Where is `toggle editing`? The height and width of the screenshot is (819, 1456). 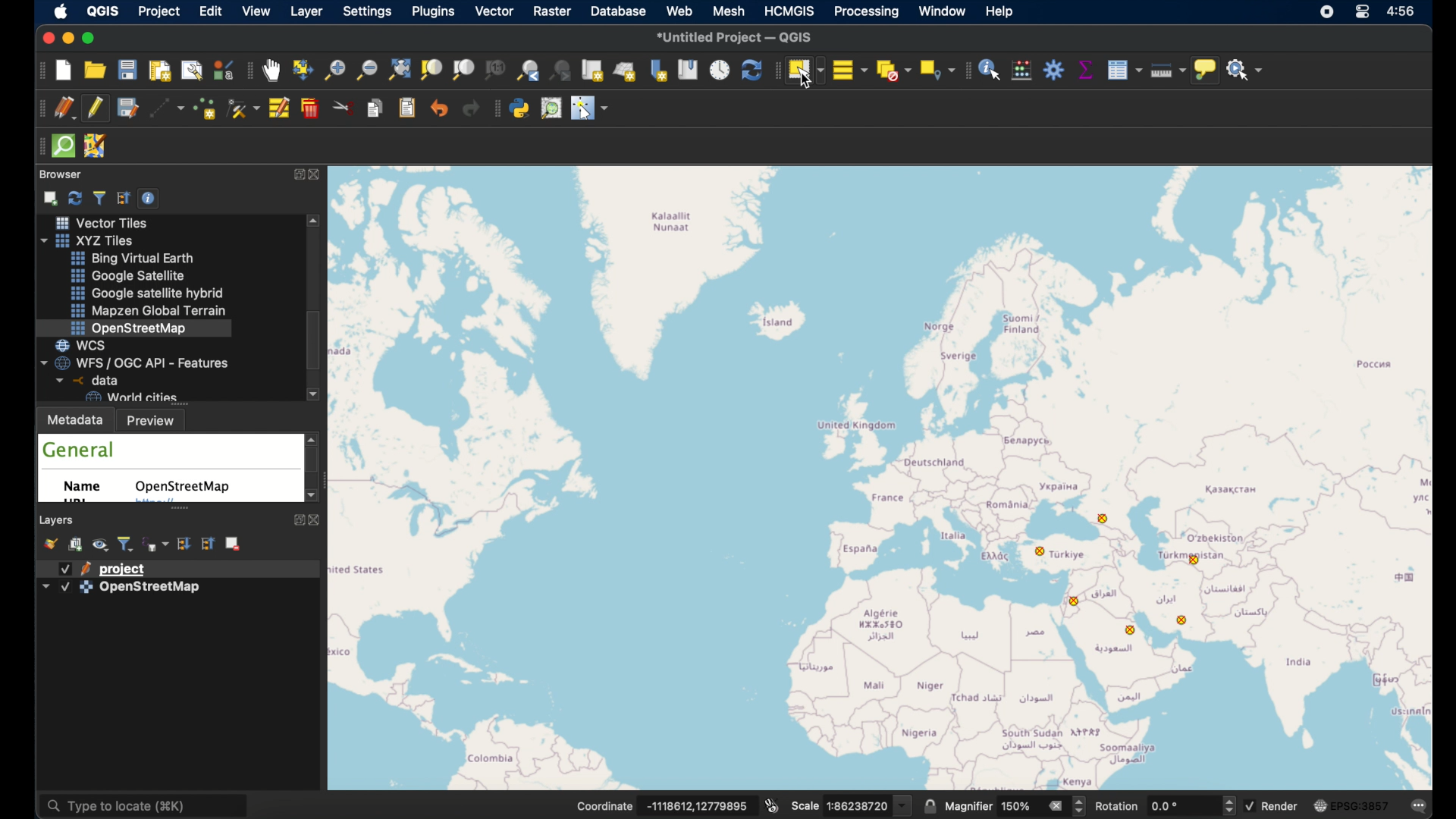 toggle editing is located at coordinates (98, 108).